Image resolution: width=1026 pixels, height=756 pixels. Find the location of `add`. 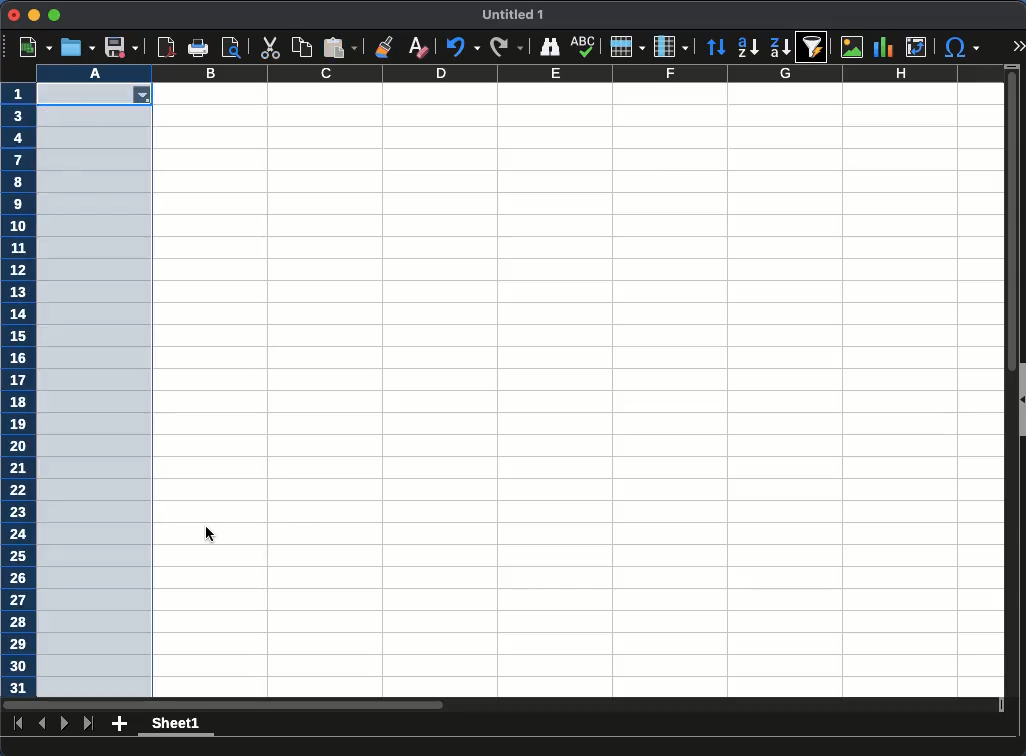

add is located at coordinates (120, 723).